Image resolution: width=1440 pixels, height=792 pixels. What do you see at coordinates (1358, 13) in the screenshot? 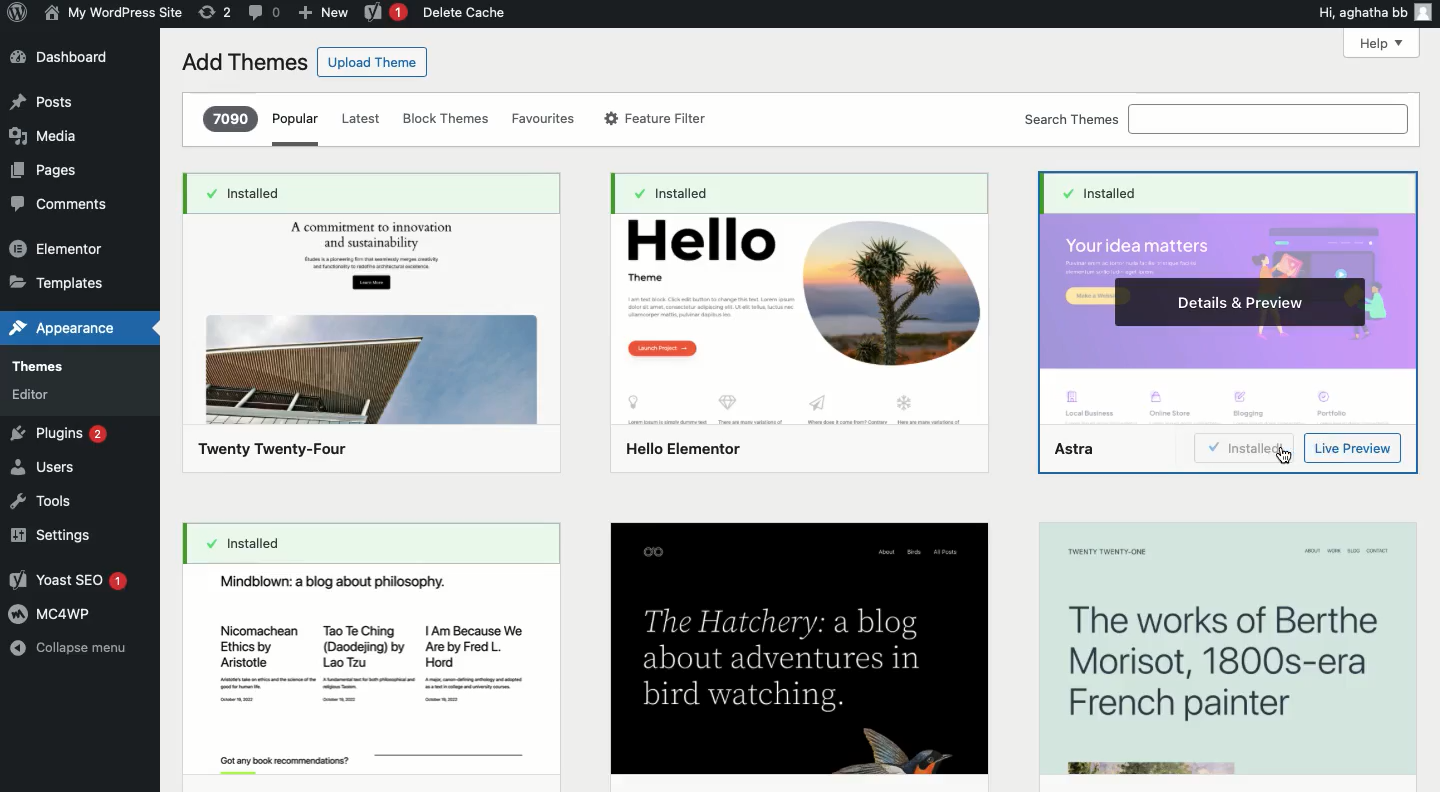
I see `Hi, agatha bb` at bounding box center [1358, 13].